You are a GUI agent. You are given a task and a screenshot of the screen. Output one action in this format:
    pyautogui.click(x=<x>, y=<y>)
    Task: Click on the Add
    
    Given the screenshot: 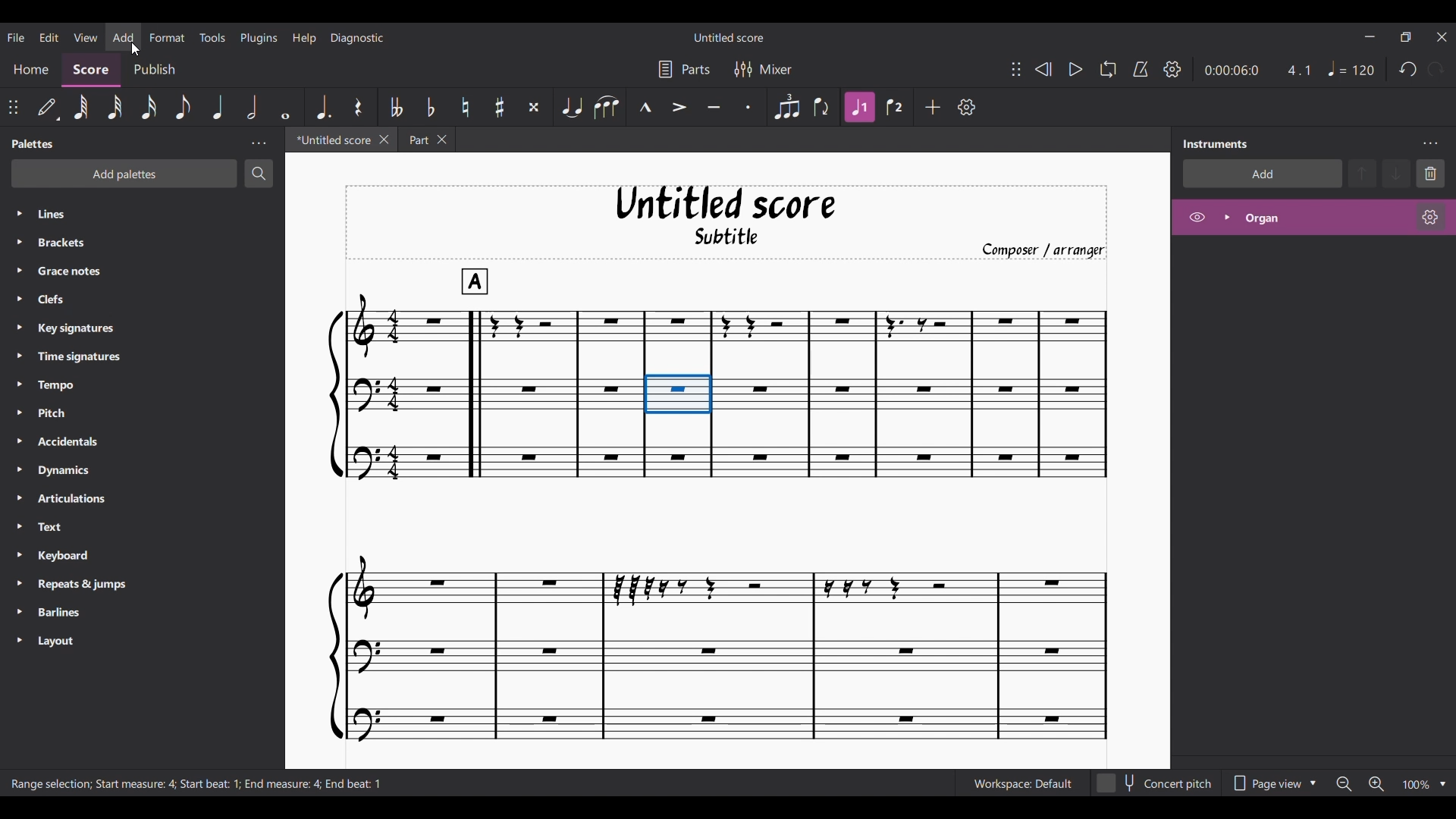 What is the action you would take?
    pyautogui.click(x=933, y=107)
    